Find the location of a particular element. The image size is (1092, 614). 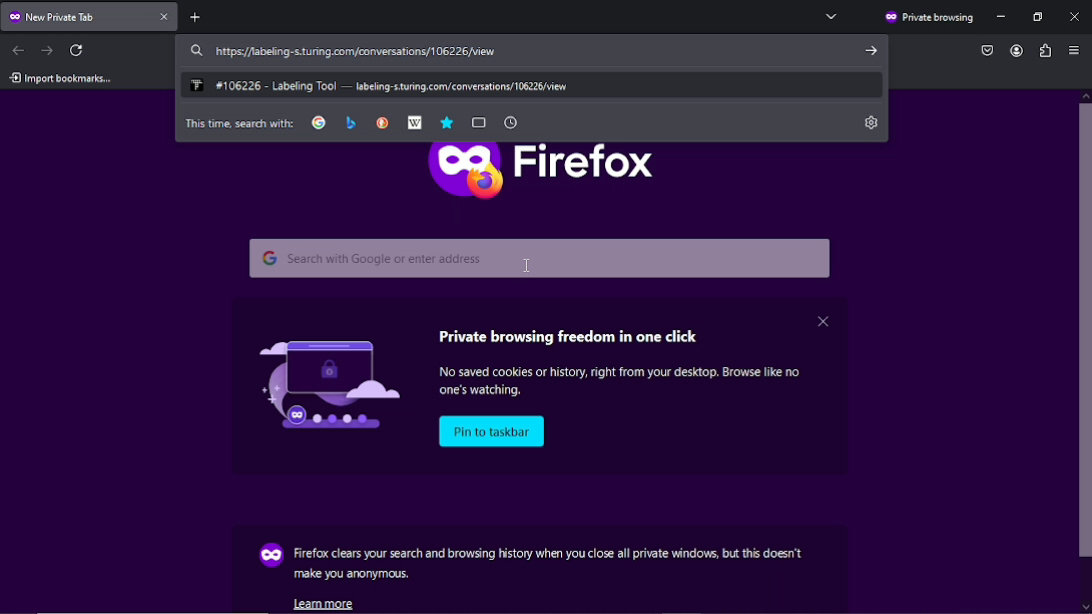

import bookmarks is located at coordinates (60, 78).